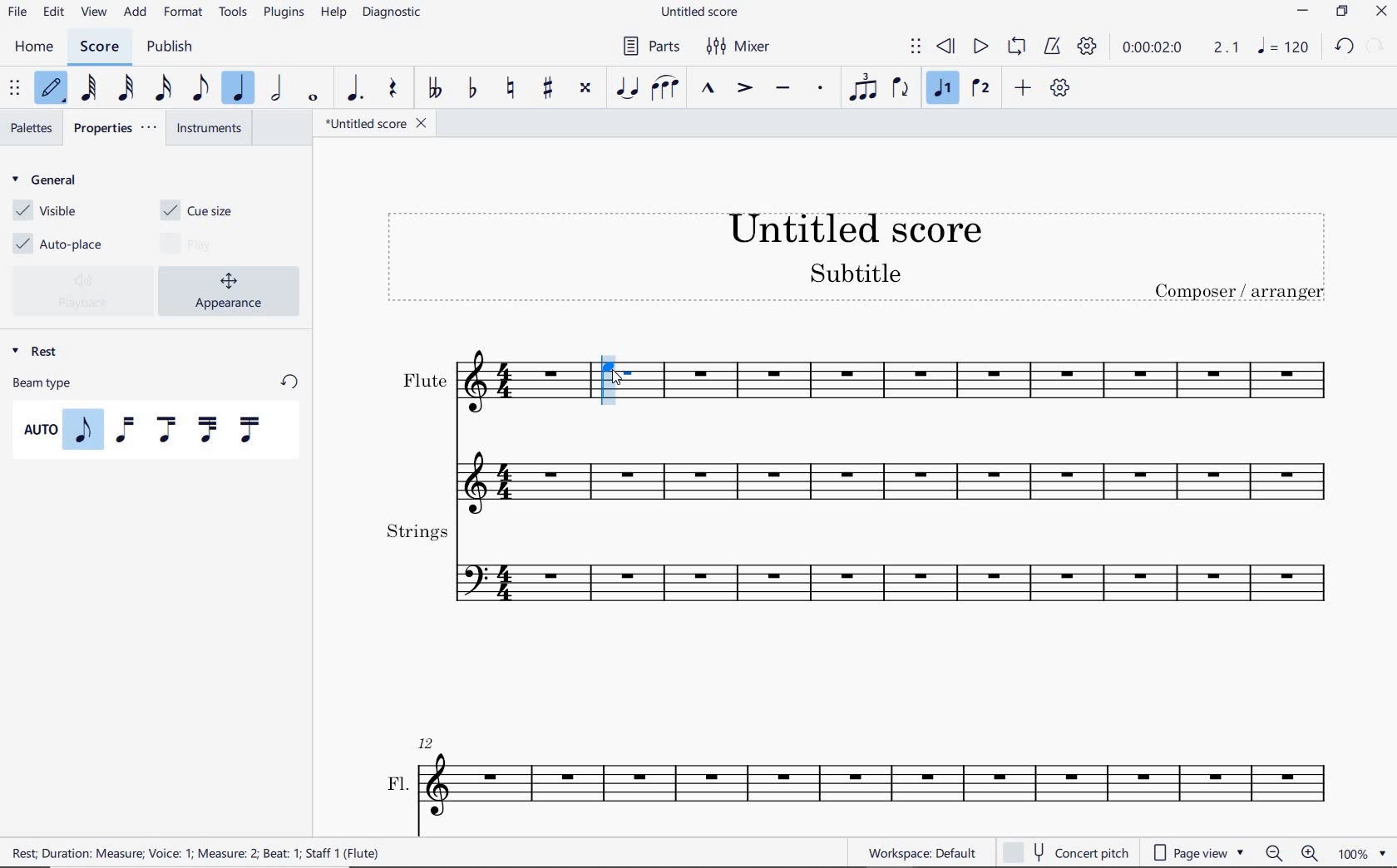  What do you see at coordinates (1197, 851) in the screenshot?
I see `page view` at bounding box center [1197, 851].